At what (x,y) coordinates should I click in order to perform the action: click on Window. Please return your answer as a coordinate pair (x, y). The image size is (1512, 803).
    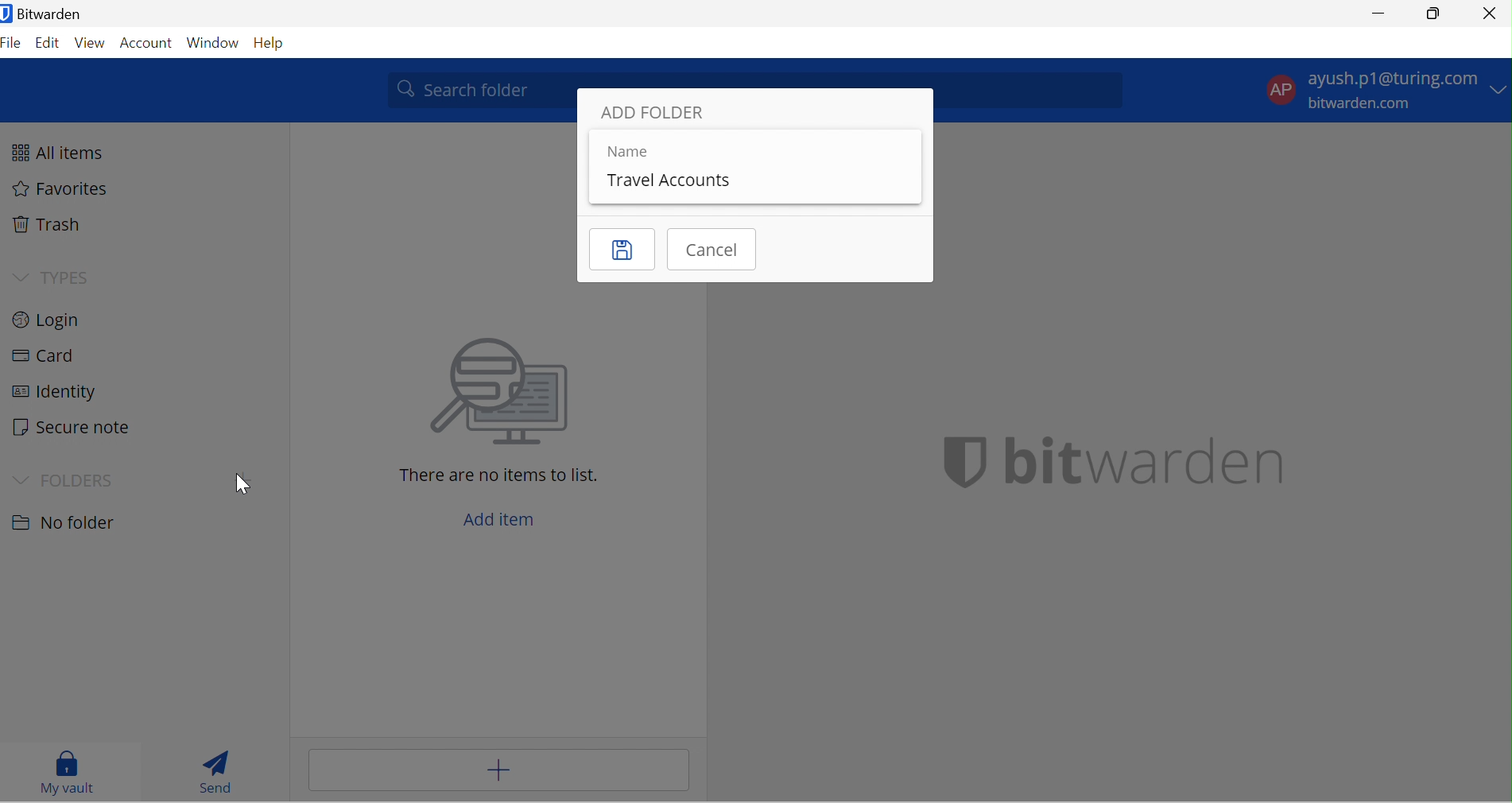
    Looking at the image, I should click on (212, 41).